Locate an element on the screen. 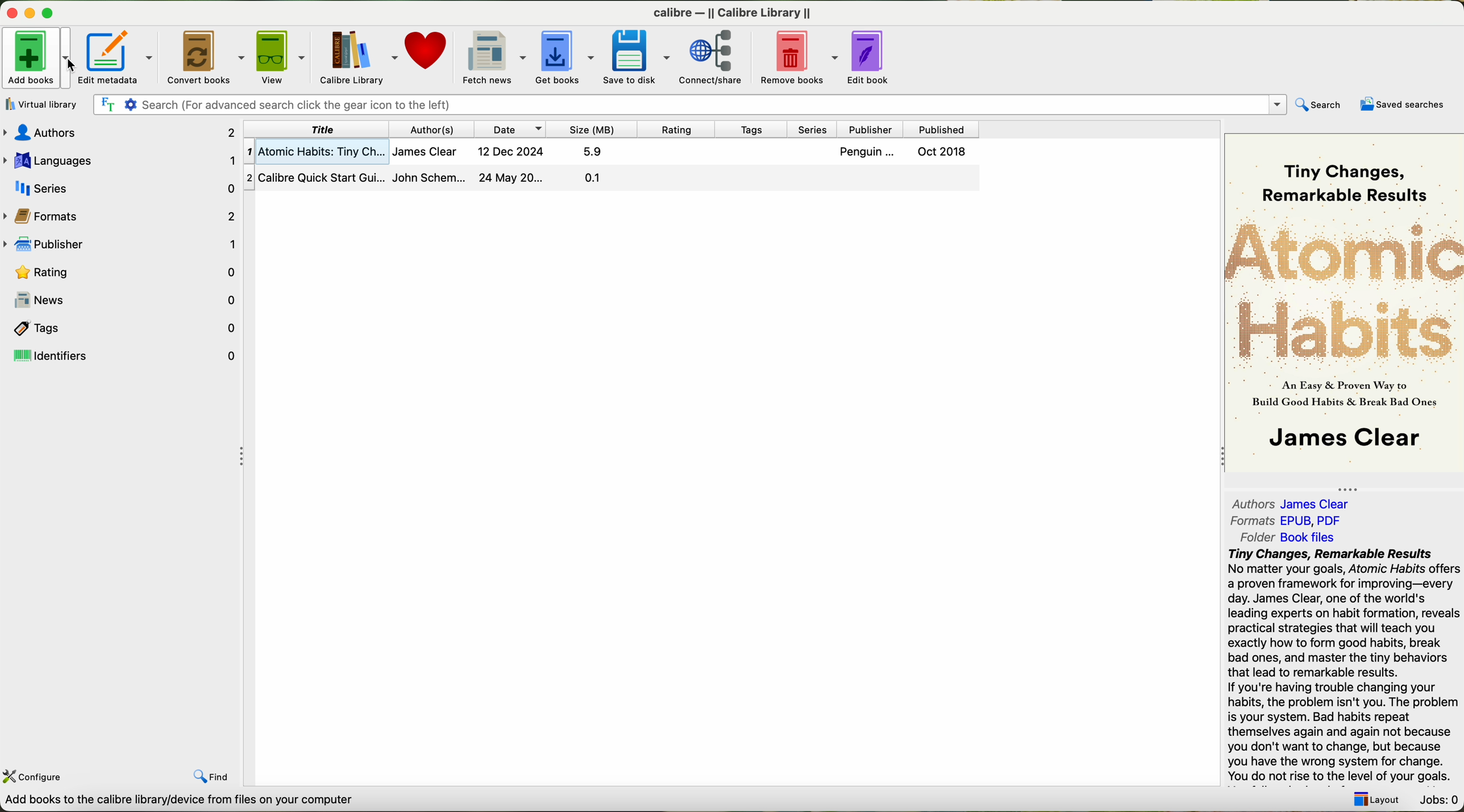 The width and height of the screenshot is (1464, 812). try changes remarkable results no matter your goals ,Atomic Habits offers a proven framework for improvity every day ,James Clear one of the word's leading expert on habit formation reveals practice startegies that will teach you howto form break bad ones and improve tiny beahbviors turn in ramarkable results.you do not rise to the level of your goals is located at coordinates (1336, 665).